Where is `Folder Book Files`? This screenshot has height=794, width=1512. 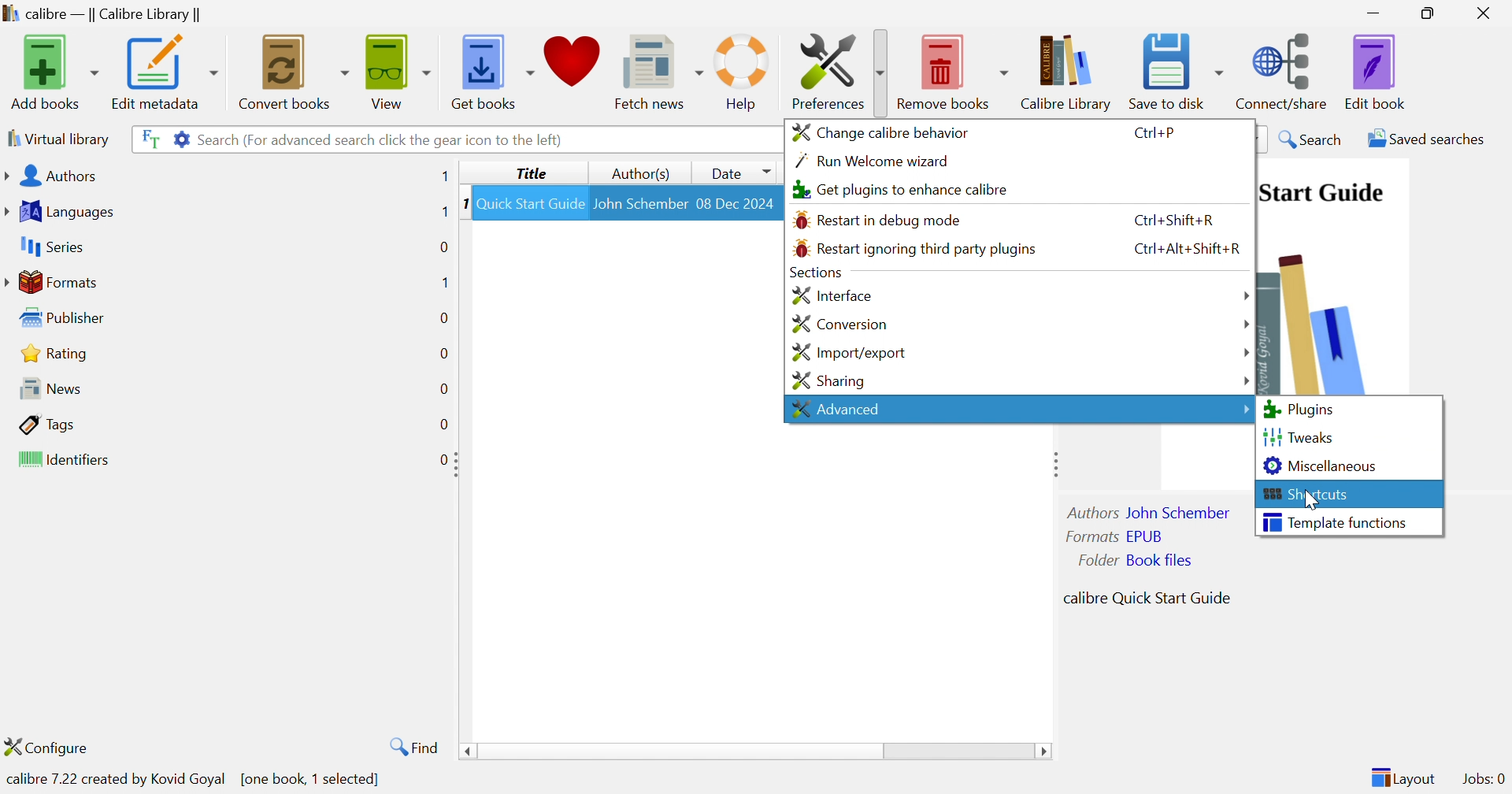 Folder Book Files is located at coordinates (1136, 560).